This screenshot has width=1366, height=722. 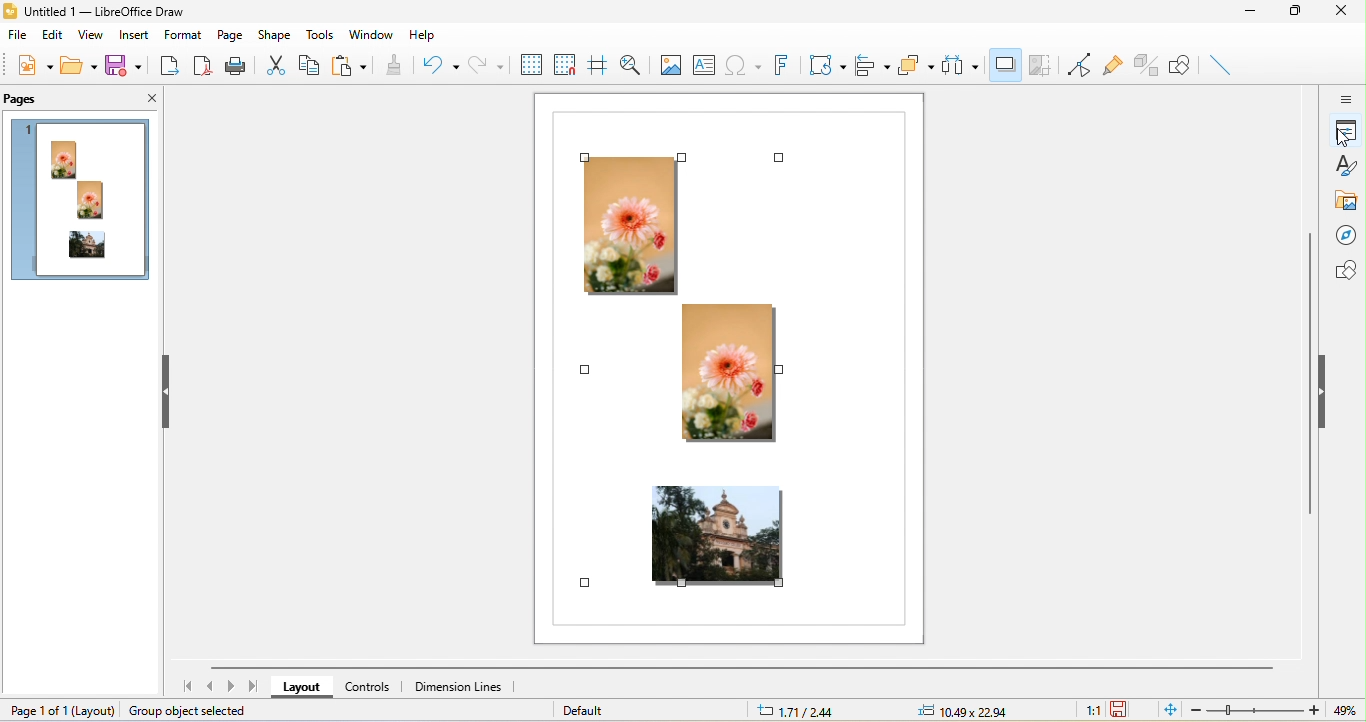 I want to click on 1:1, so click(x=1086, y=710).